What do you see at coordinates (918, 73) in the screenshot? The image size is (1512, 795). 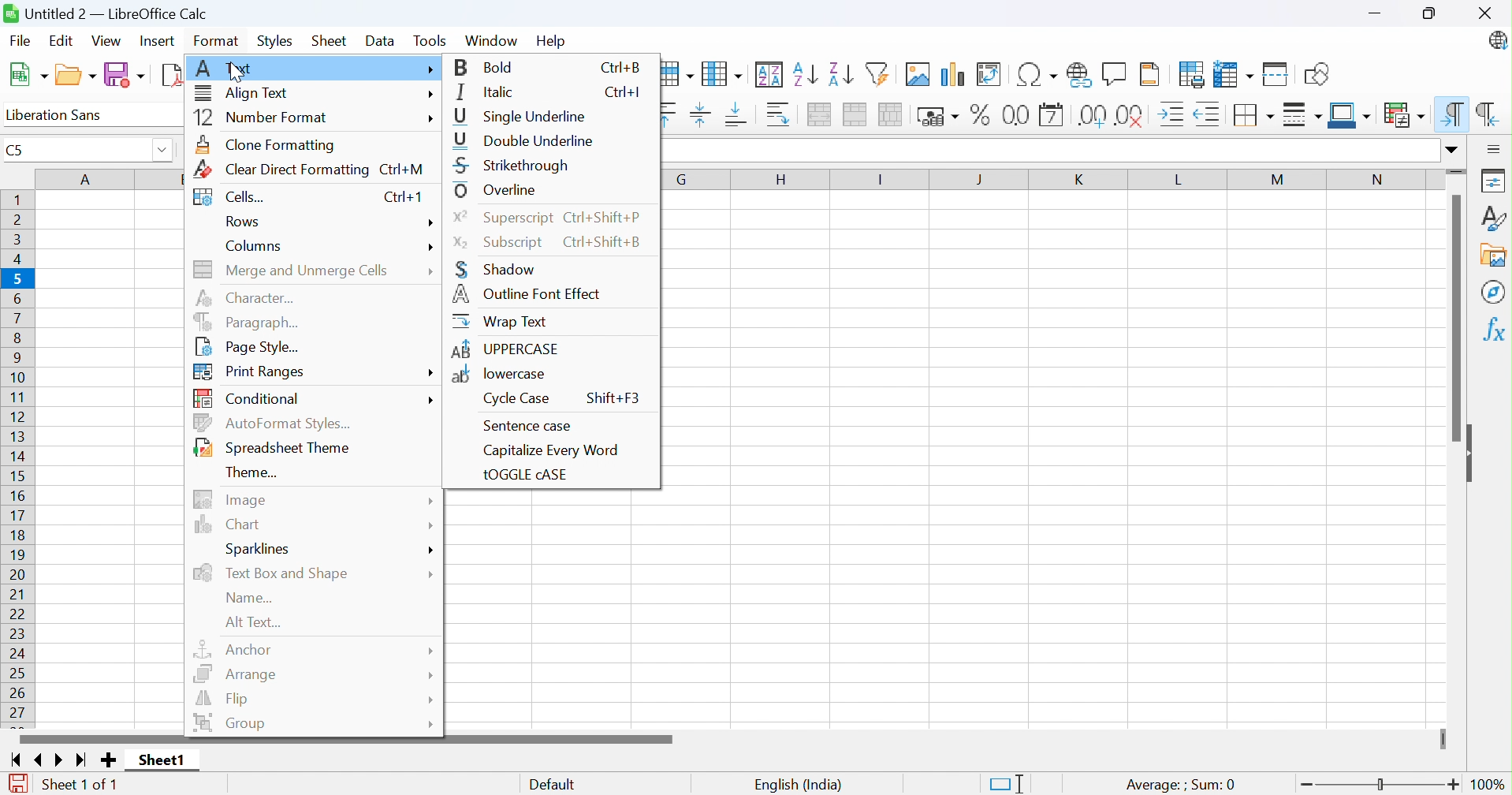 I see `Insert image` at bounding box center [918, 73].